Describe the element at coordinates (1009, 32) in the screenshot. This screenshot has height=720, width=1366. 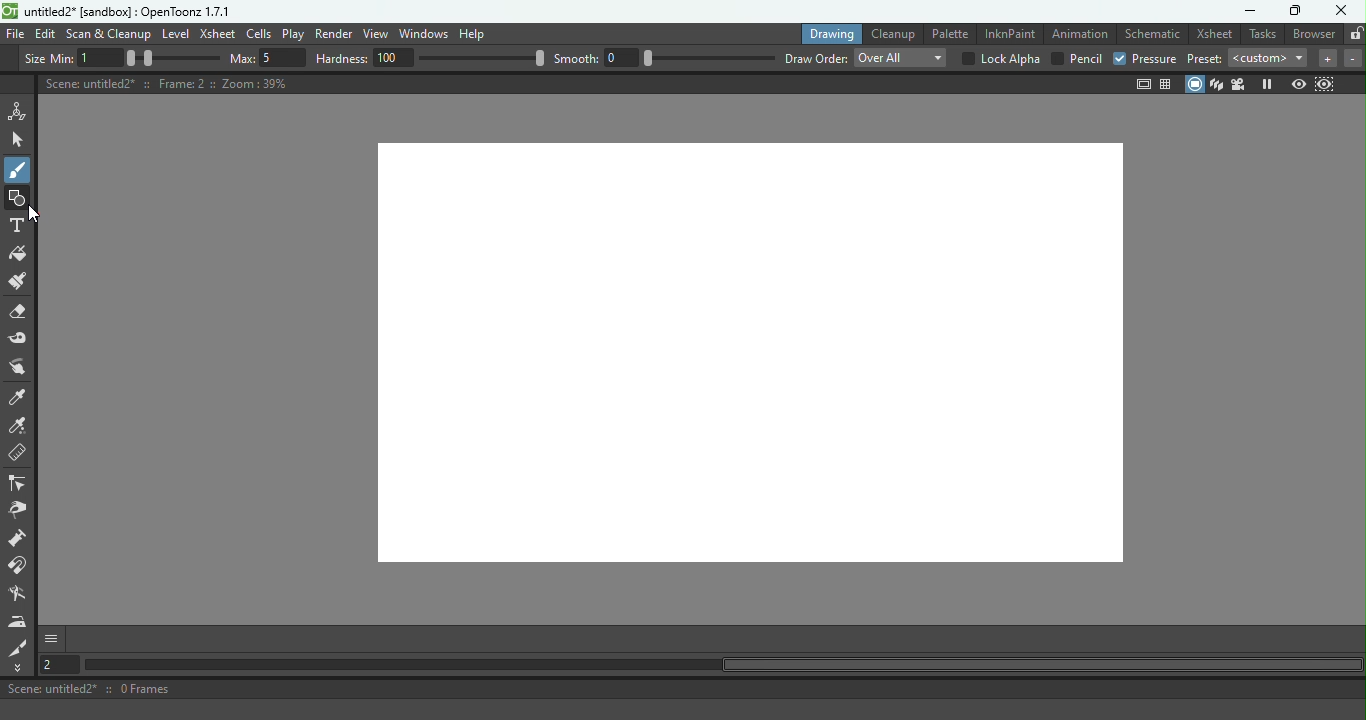
I see `InknPaint` at that location.